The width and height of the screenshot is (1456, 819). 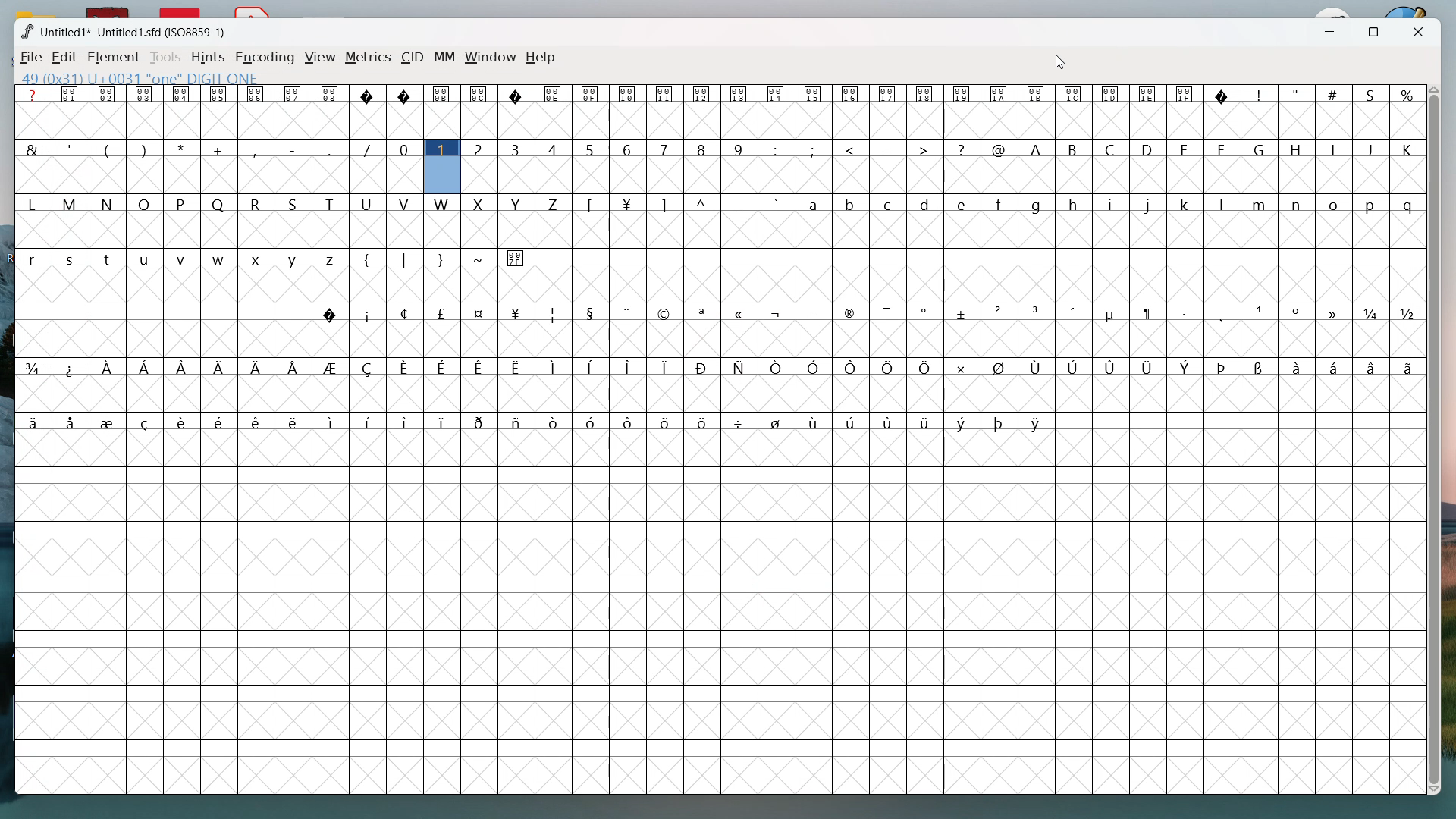 I want to click on symbol, so click(x=71, y=369).